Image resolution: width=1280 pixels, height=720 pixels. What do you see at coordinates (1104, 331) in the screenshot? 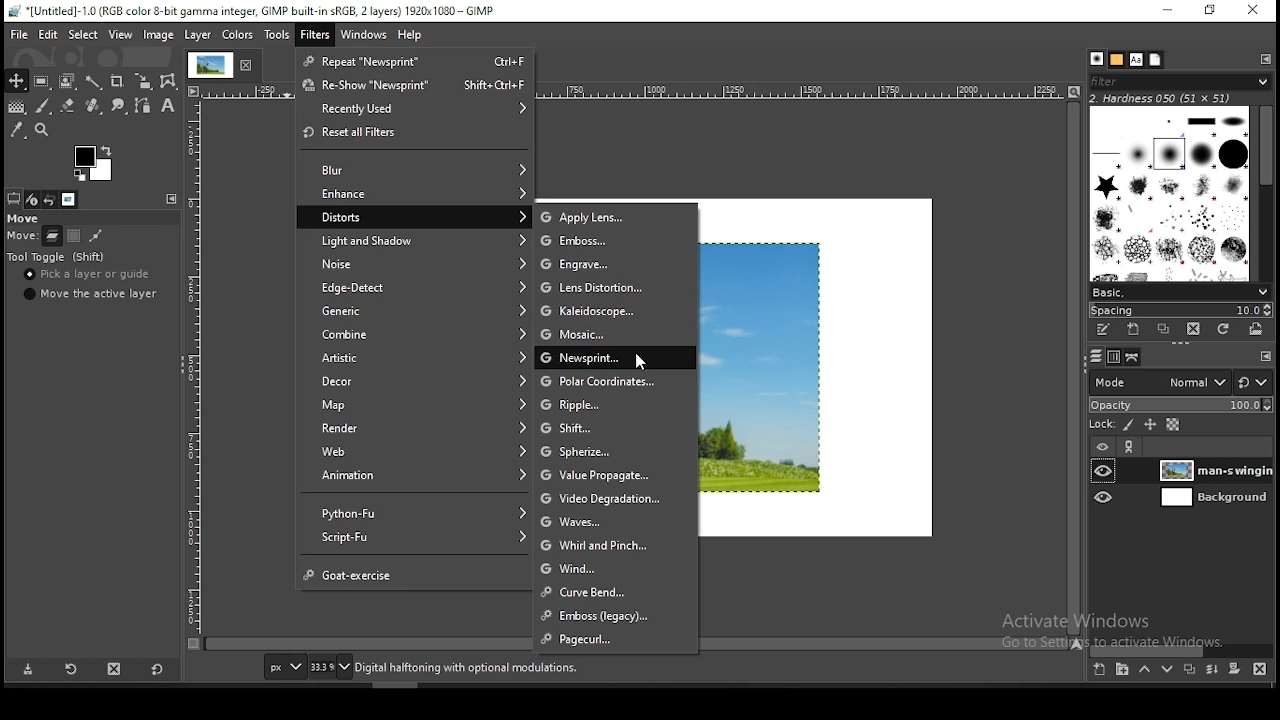
I see `edit this brush` at bounding box center [1104, 331].